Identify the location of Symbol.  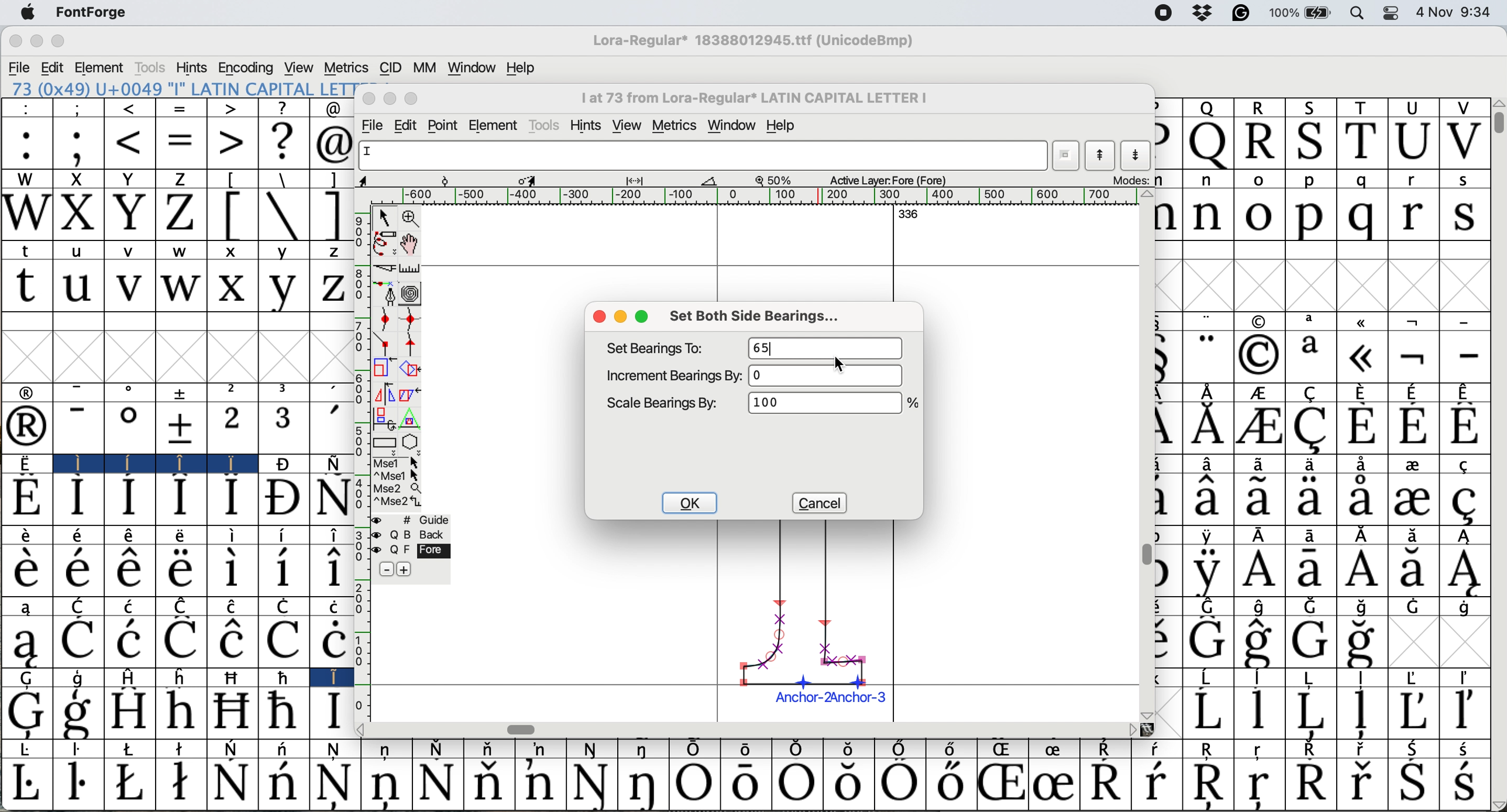
(901, 748).